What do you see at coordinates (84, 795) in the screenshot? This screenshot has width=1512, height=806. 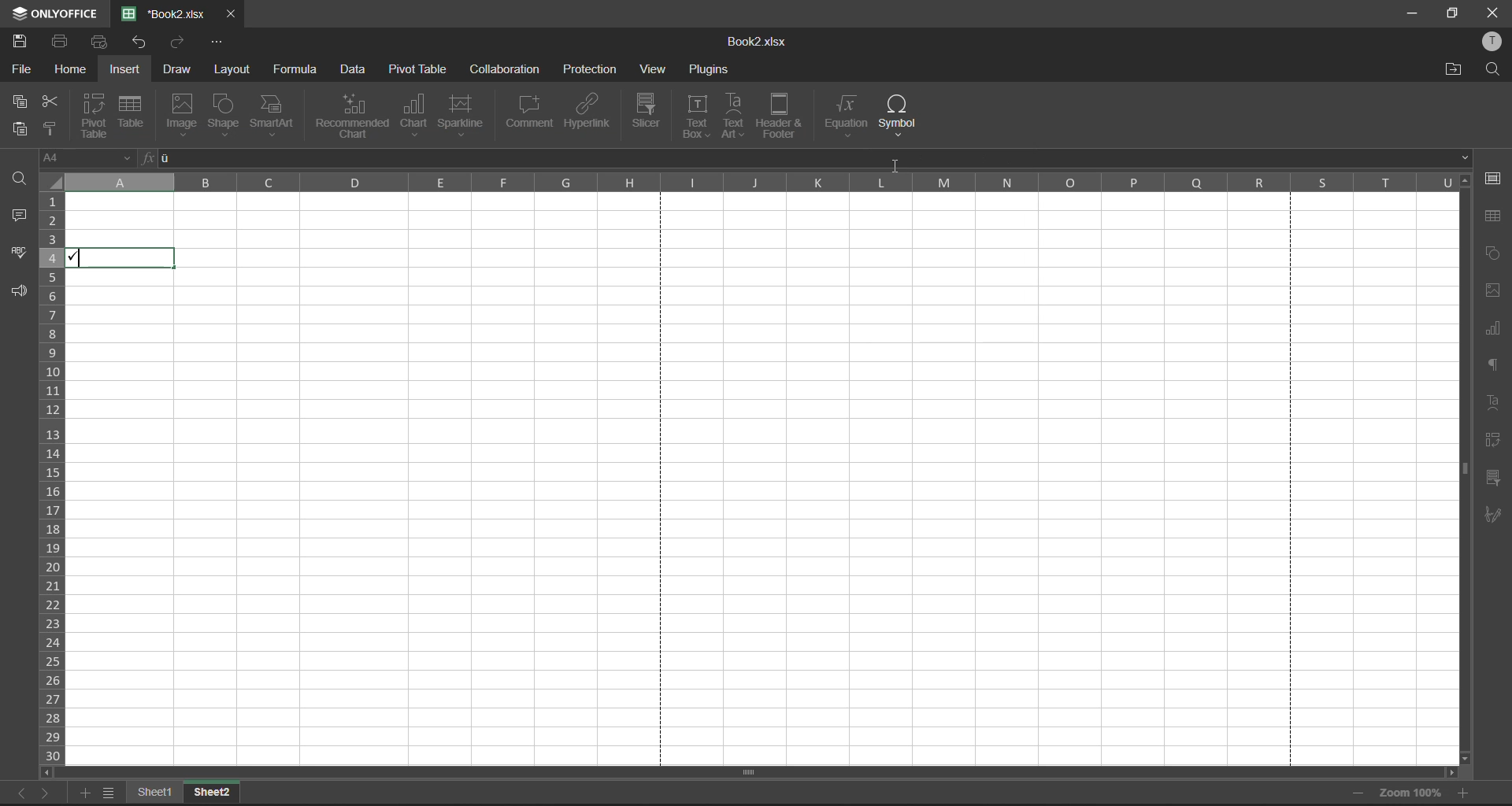 I see `add sheet ` at bounding box center [84, 795].